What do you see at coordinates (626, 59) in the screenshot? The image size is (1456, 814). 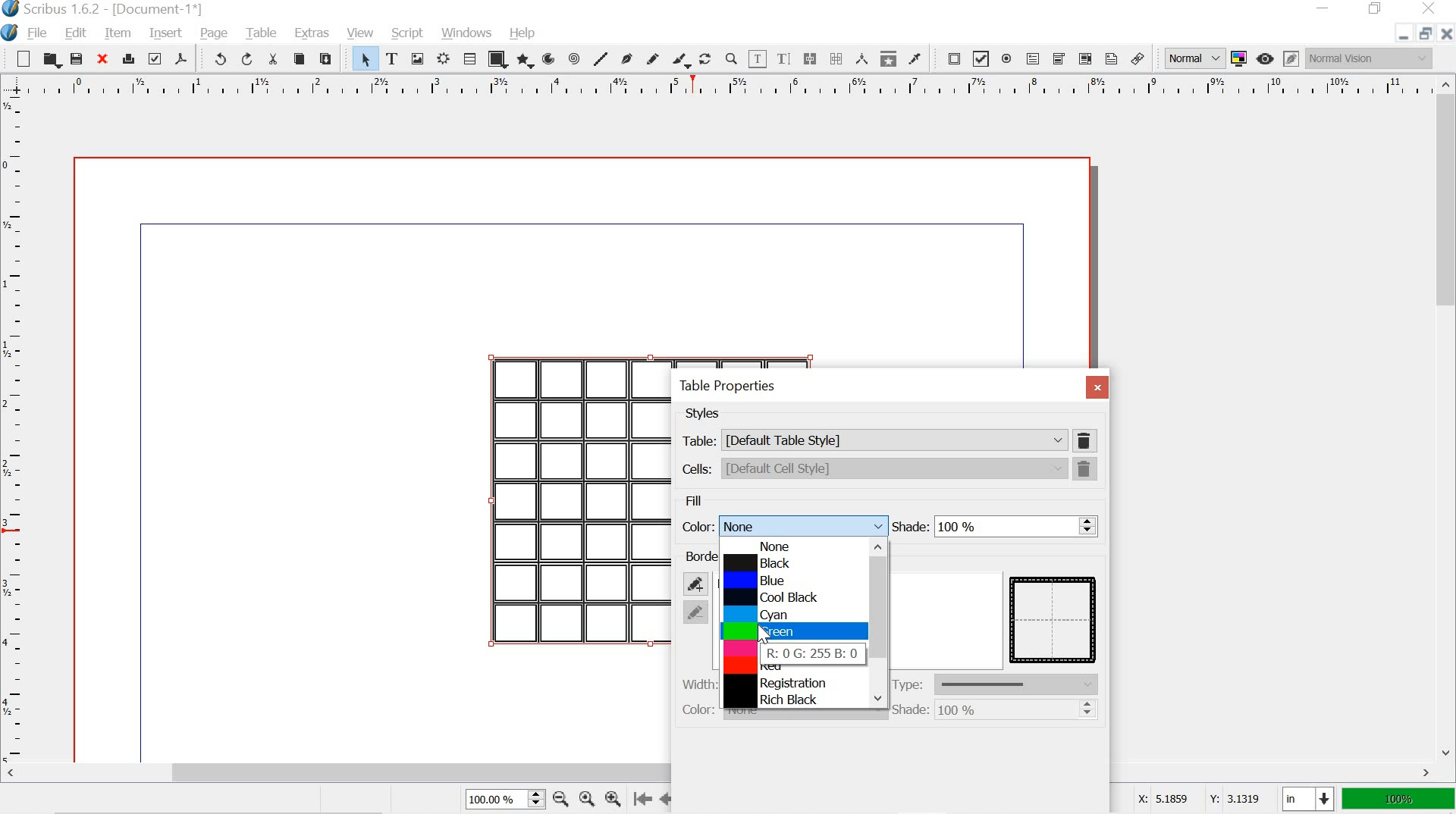 I see `bezier curve` at bounding box center [626, 59].